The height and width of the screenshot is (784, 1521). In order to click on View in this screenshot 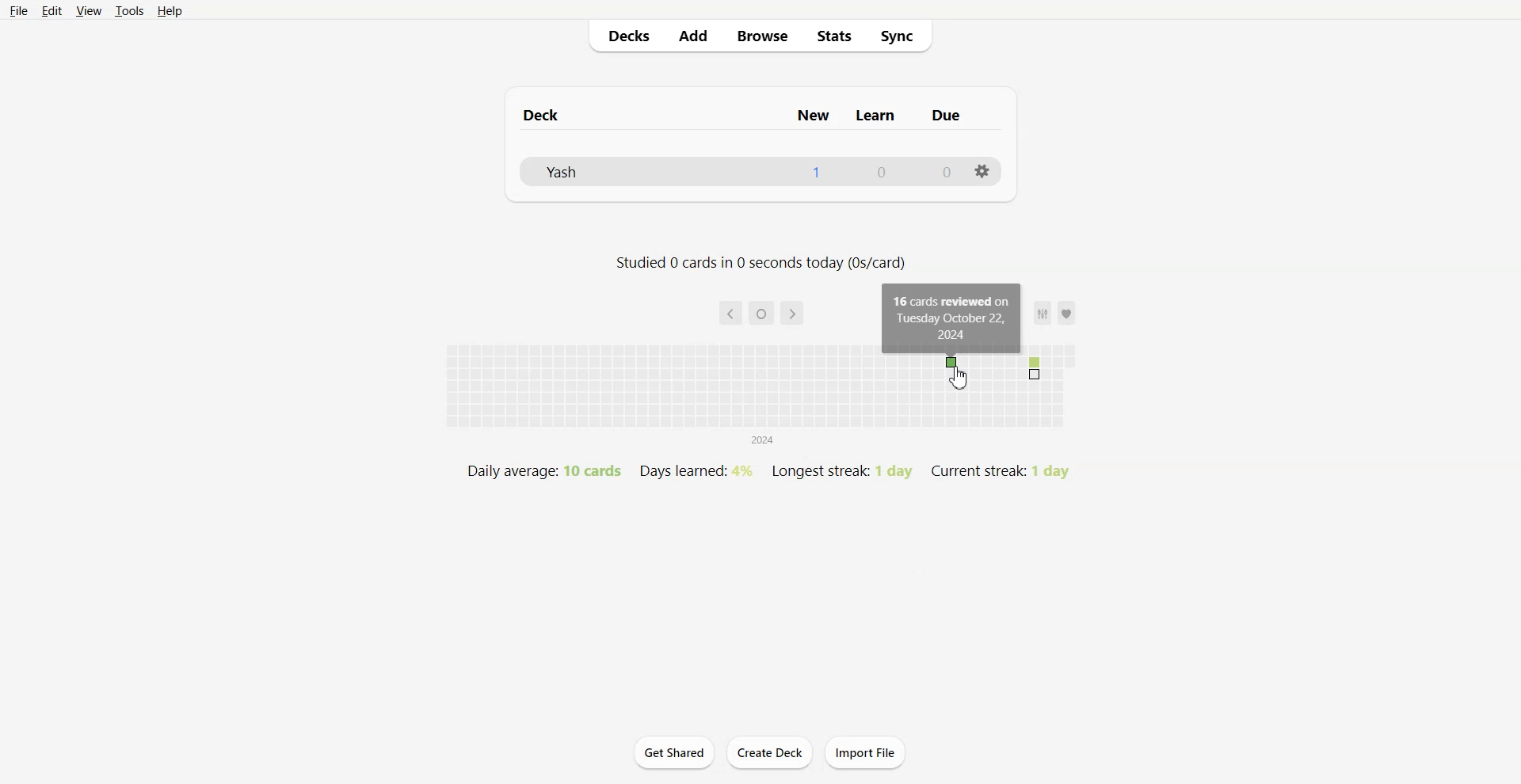, I will do `click(88, 11)`.